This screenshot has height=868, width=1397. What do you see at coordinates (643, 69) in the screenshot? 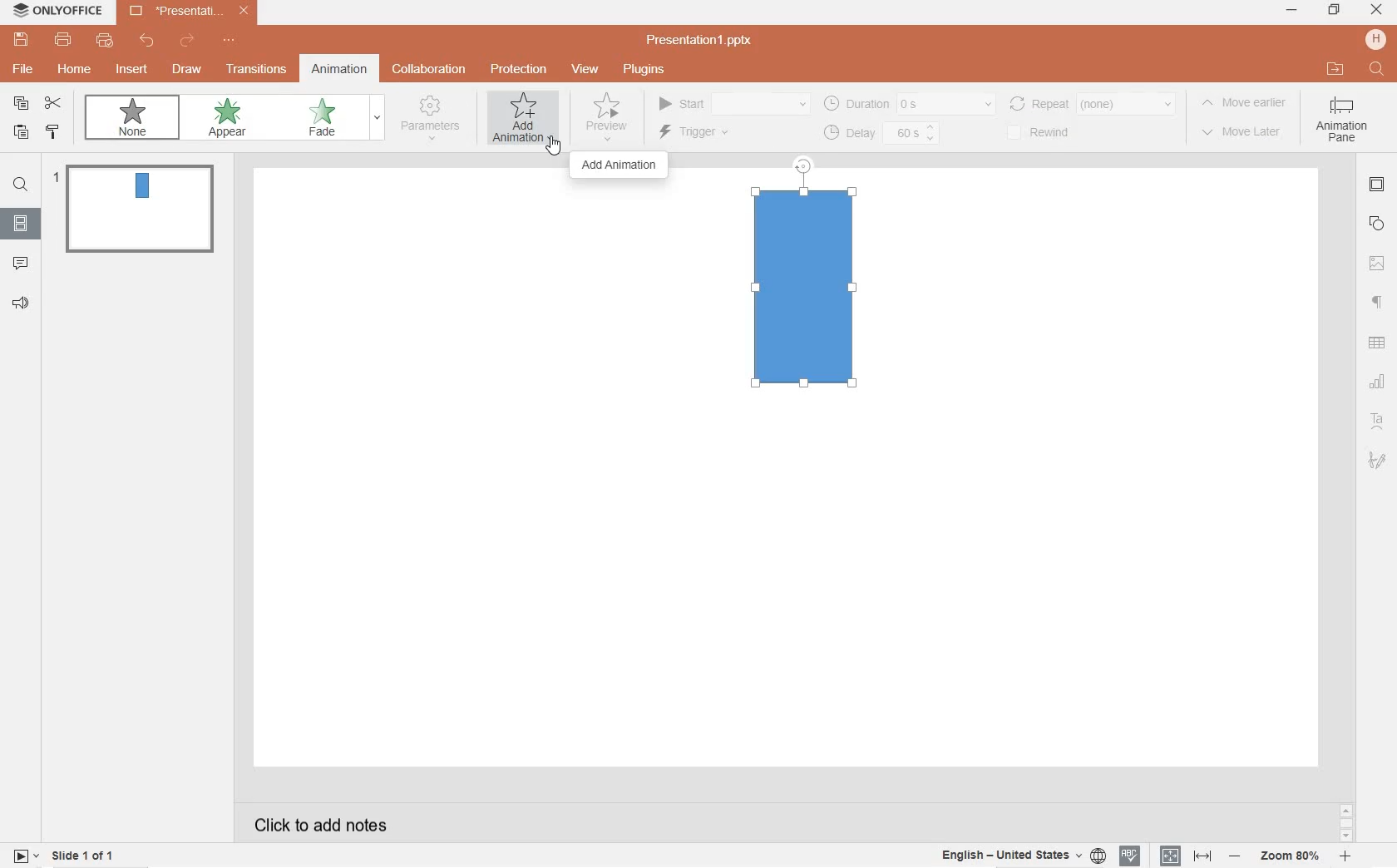
I see `plugins` at bounding box center [643, 69].